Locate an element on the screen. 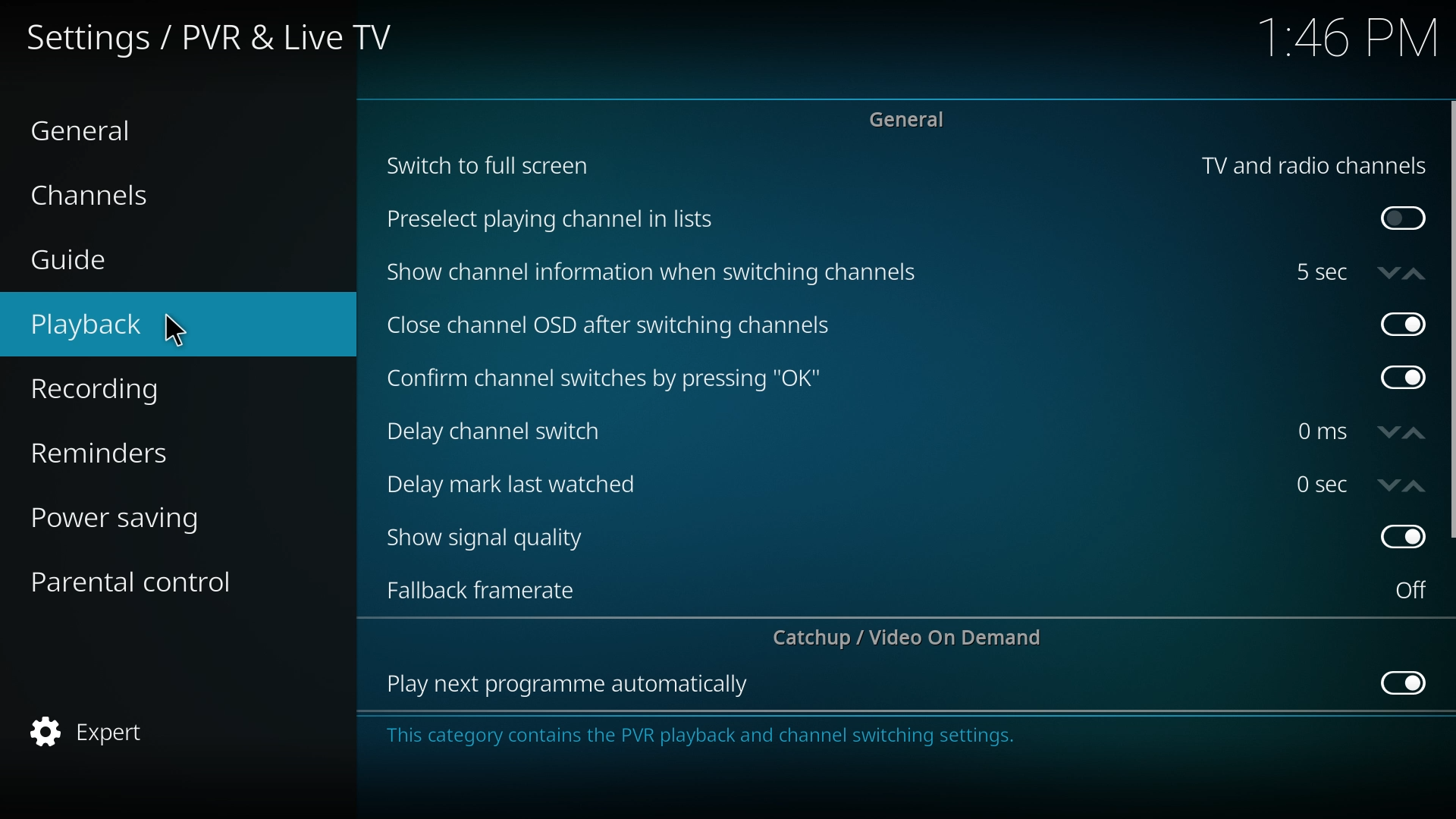 This screenshot has height=819, width=1456. show signal quality is located at coordinates (496, 538).